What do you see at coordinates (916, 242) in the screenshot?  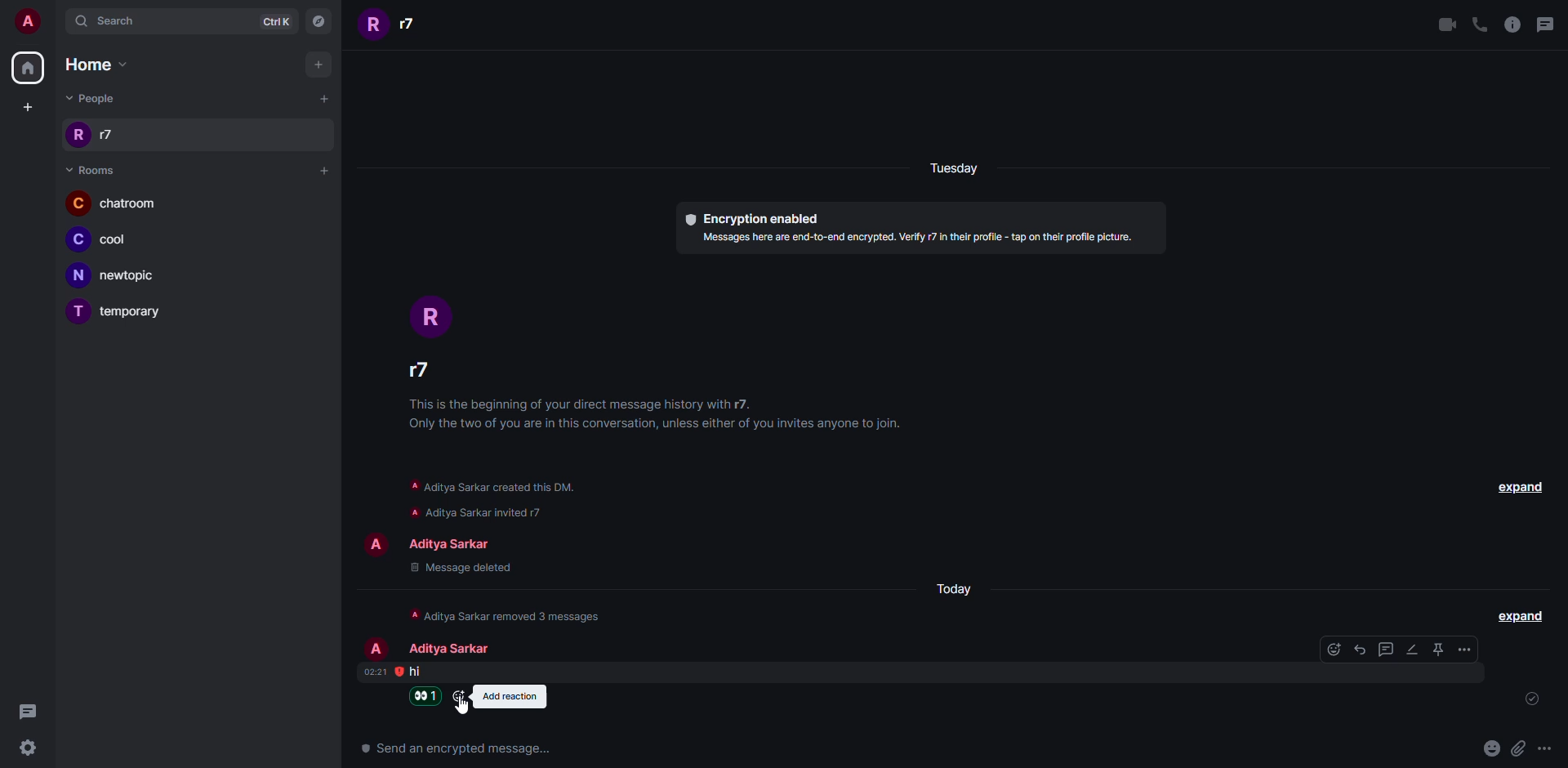 I see `info` at bounding box center [916, 242].